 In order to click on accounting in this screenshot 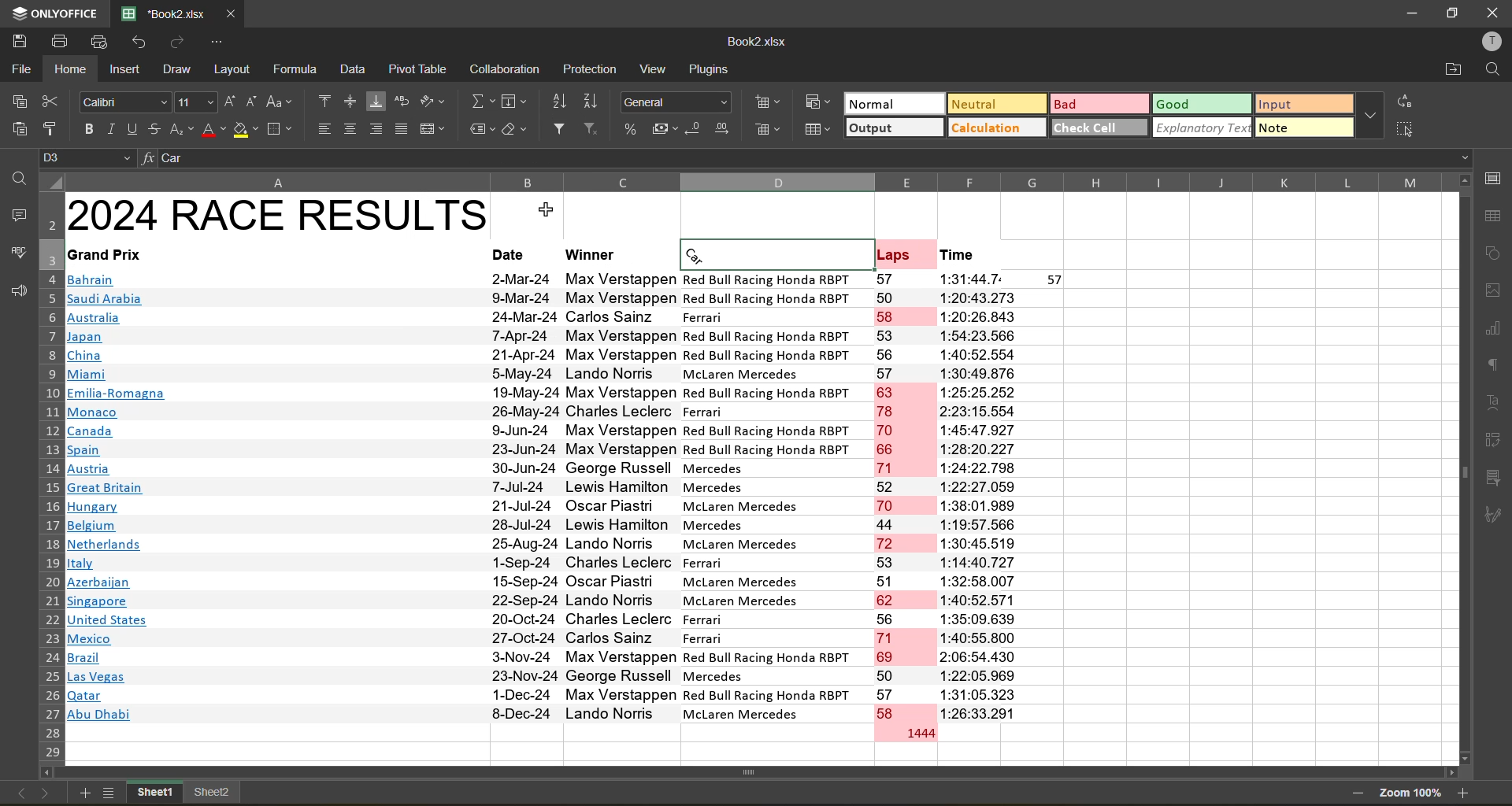, I will do `click(665, 129)`.